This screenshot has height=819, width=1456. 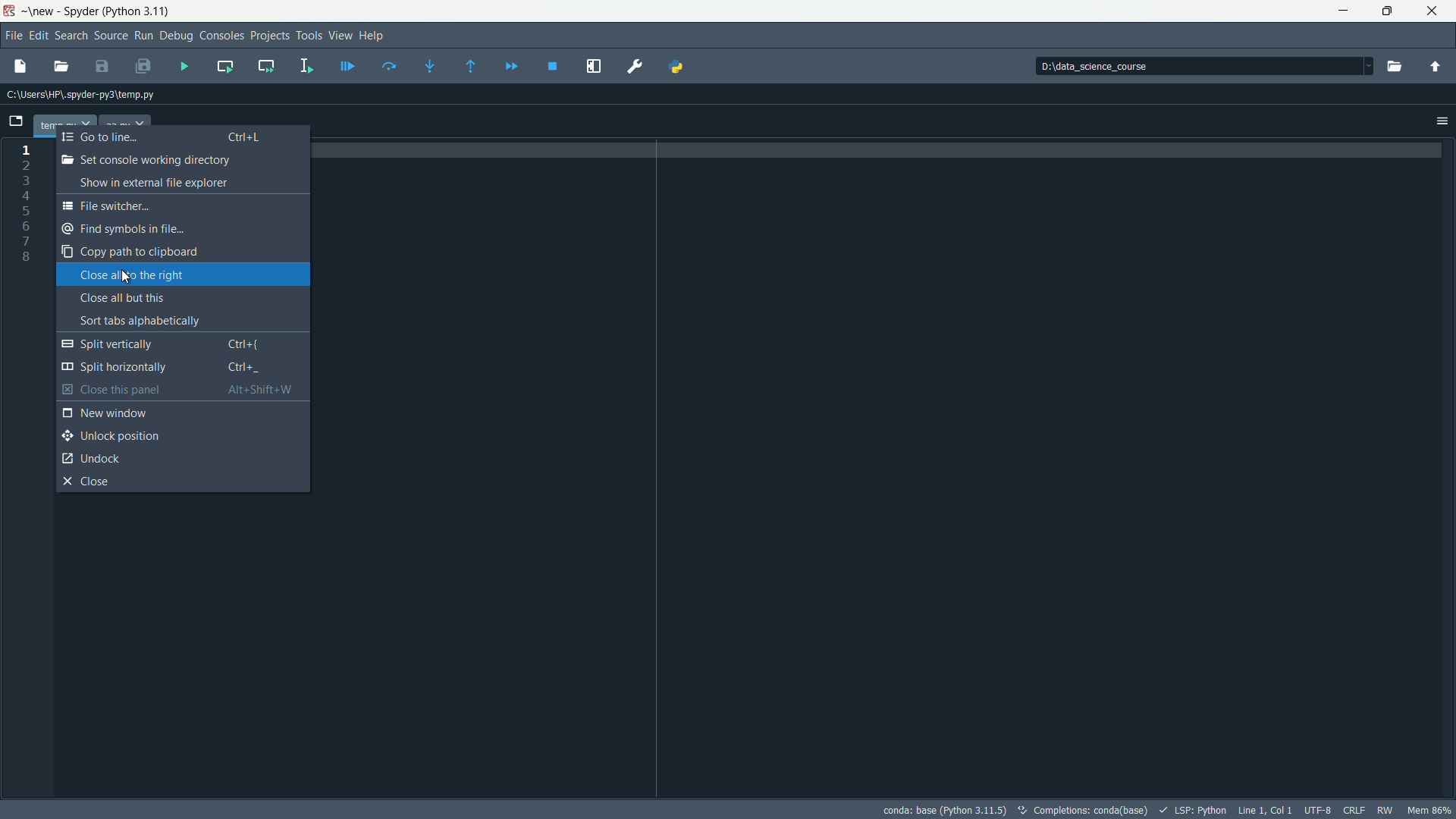 What do you see at coordinates (162, 138) in the screenshot?
I see `go to line` at bounding box center [162, 138].